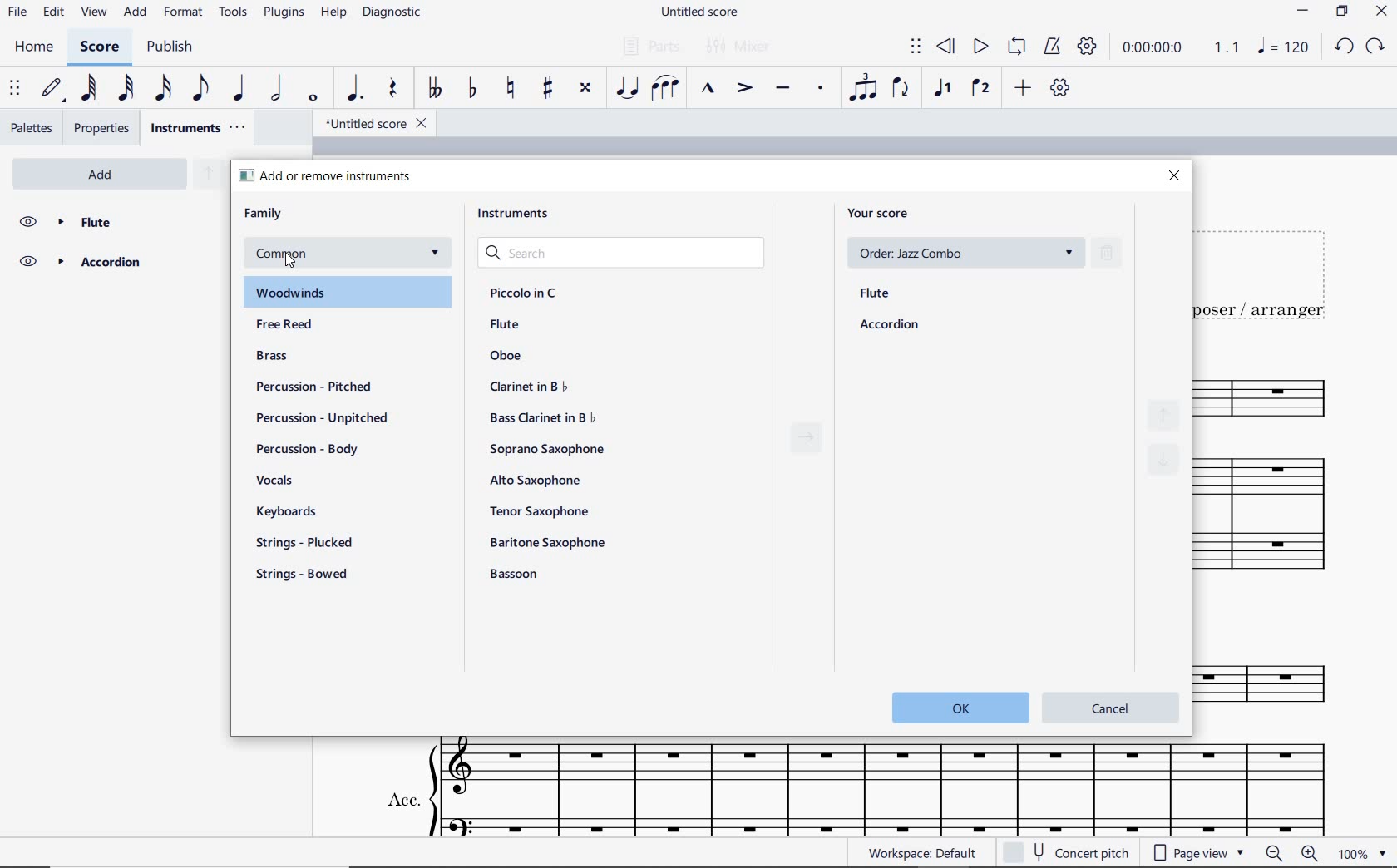 This screenshot has height=868, width=1397. I want to click on FILE NAME, so click(698, 13).